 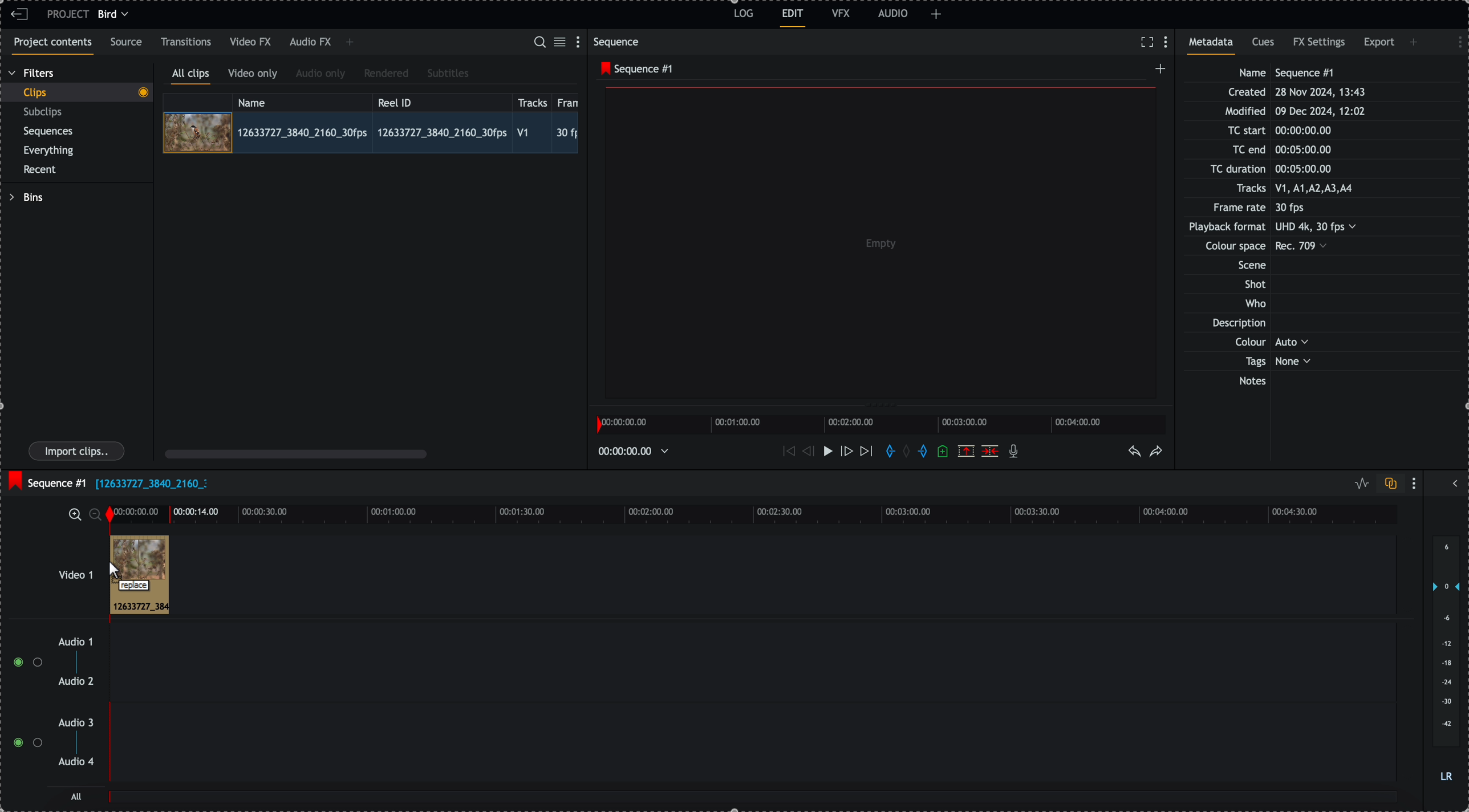 What do you see at coordinates (866, 453) in the screenshot?
I see `move foward` at bounding box center [866, 453].